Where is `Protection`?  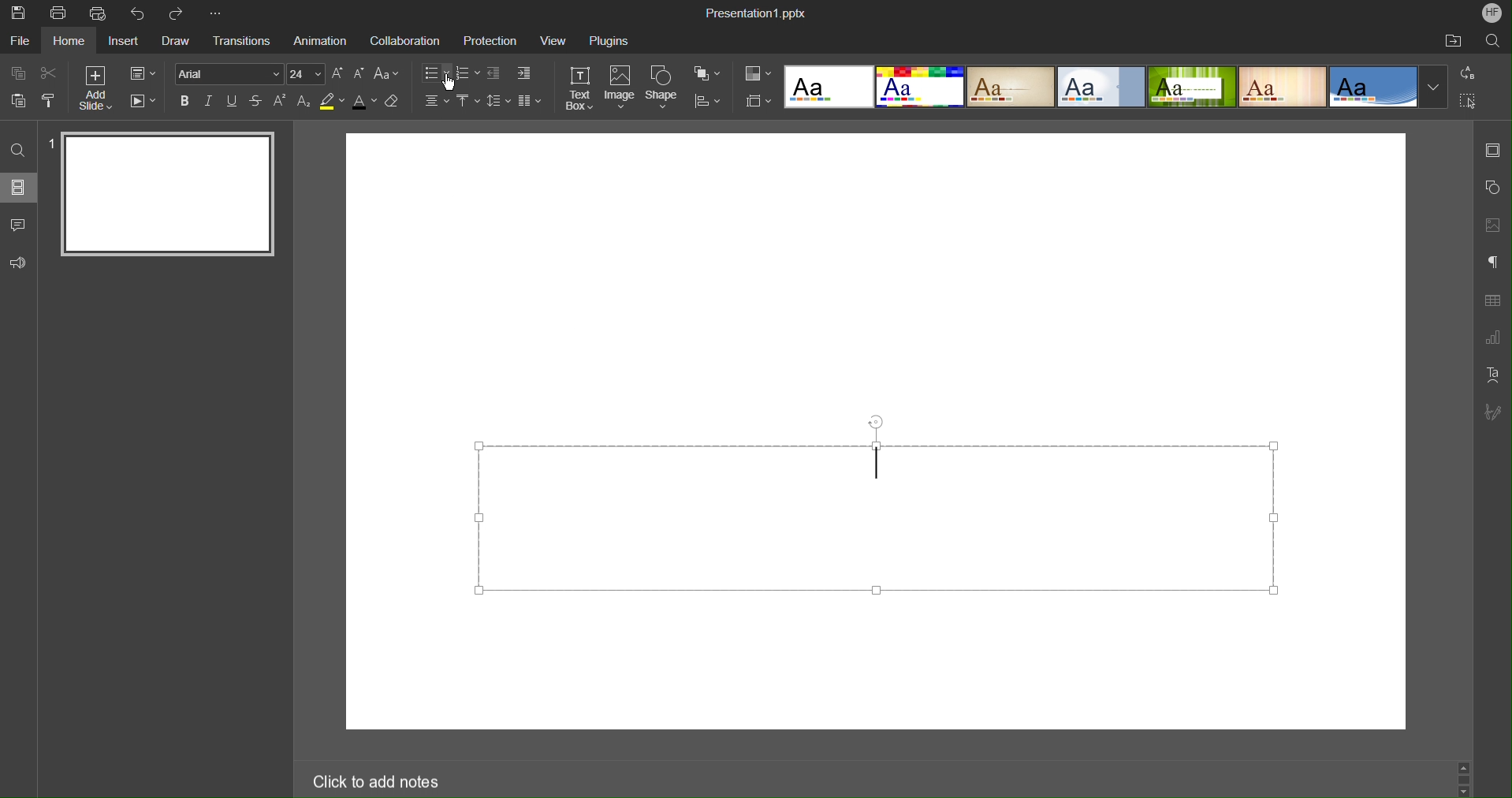
Protection is located at coordinates (486, 41).